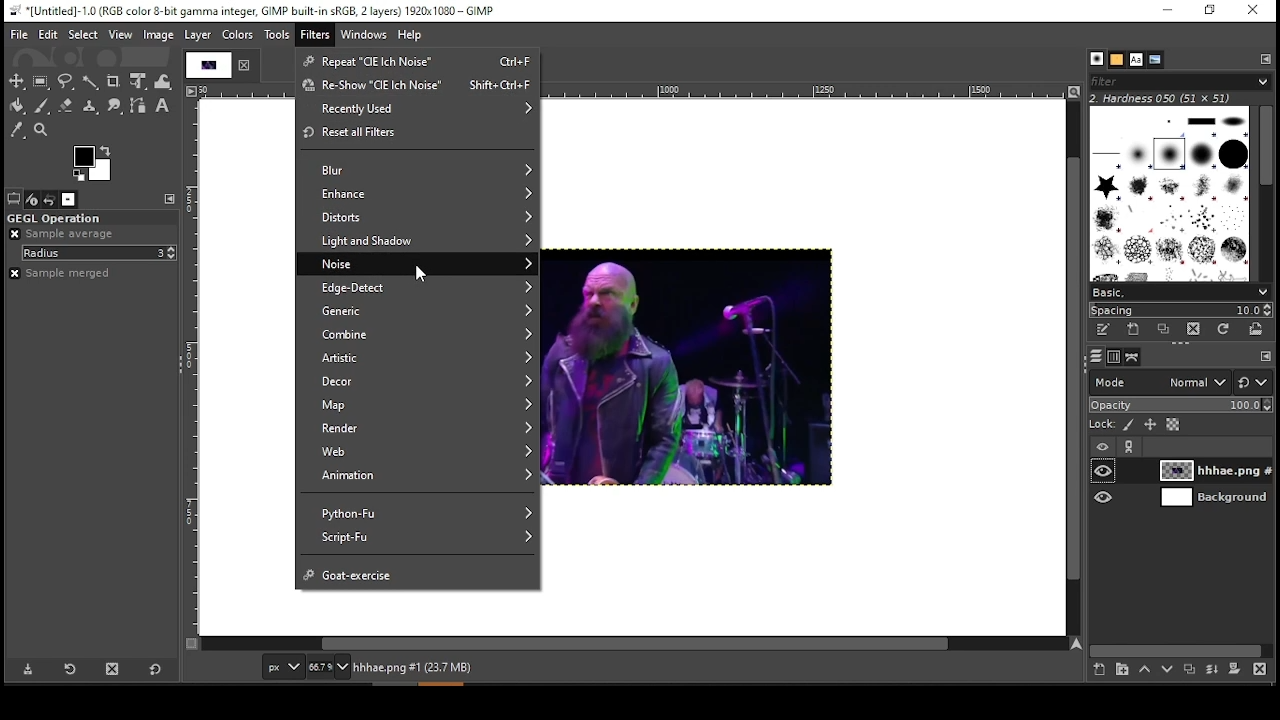  I want to click on layer visibility on/off, so click(1105, 471).